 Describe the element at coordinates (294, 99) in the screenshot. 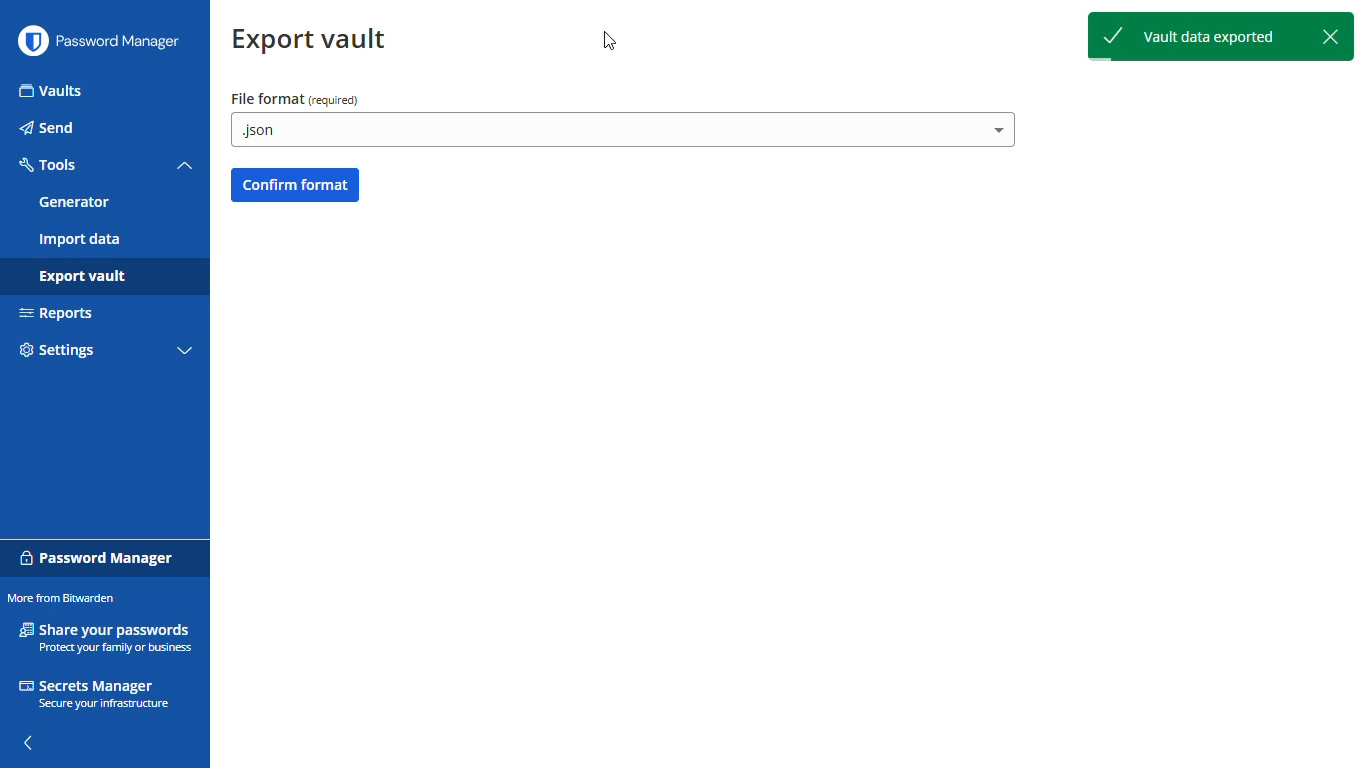

I see `file format (required)` at that location.